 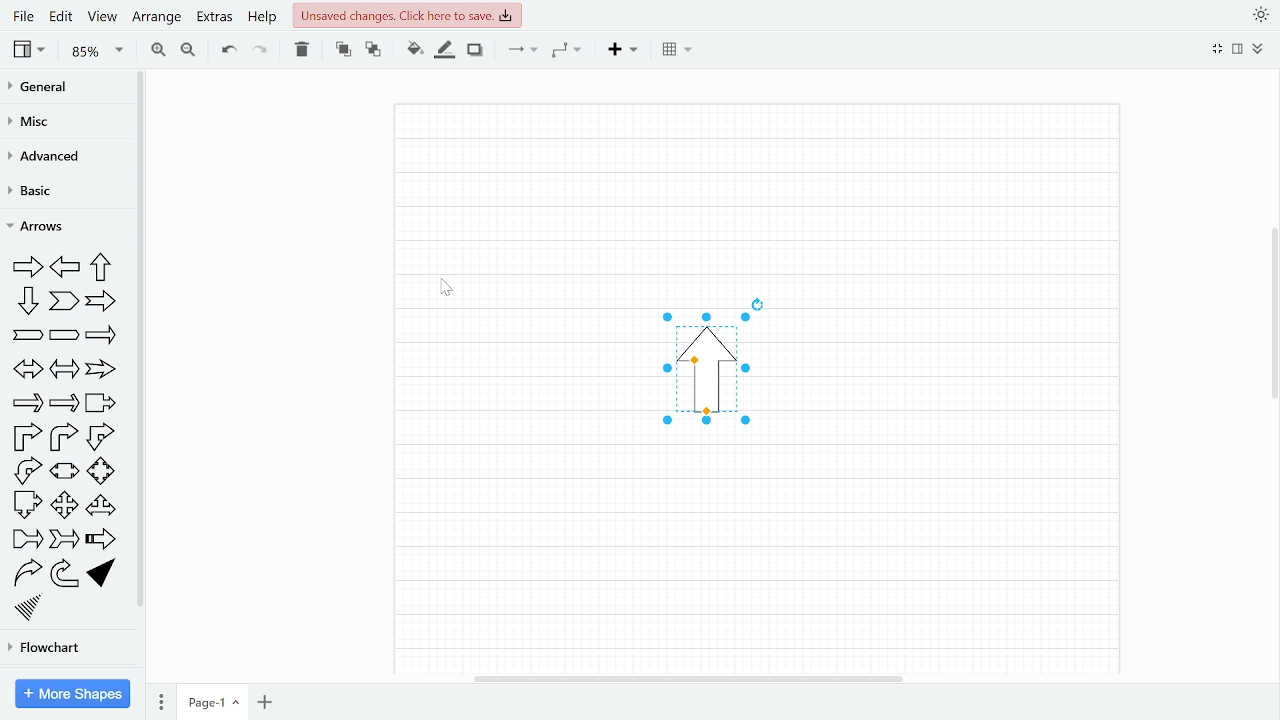 What do you see at coordinates (523, 50) in the screenshot?
I see `COnnections` at bounding box center [523, 50].